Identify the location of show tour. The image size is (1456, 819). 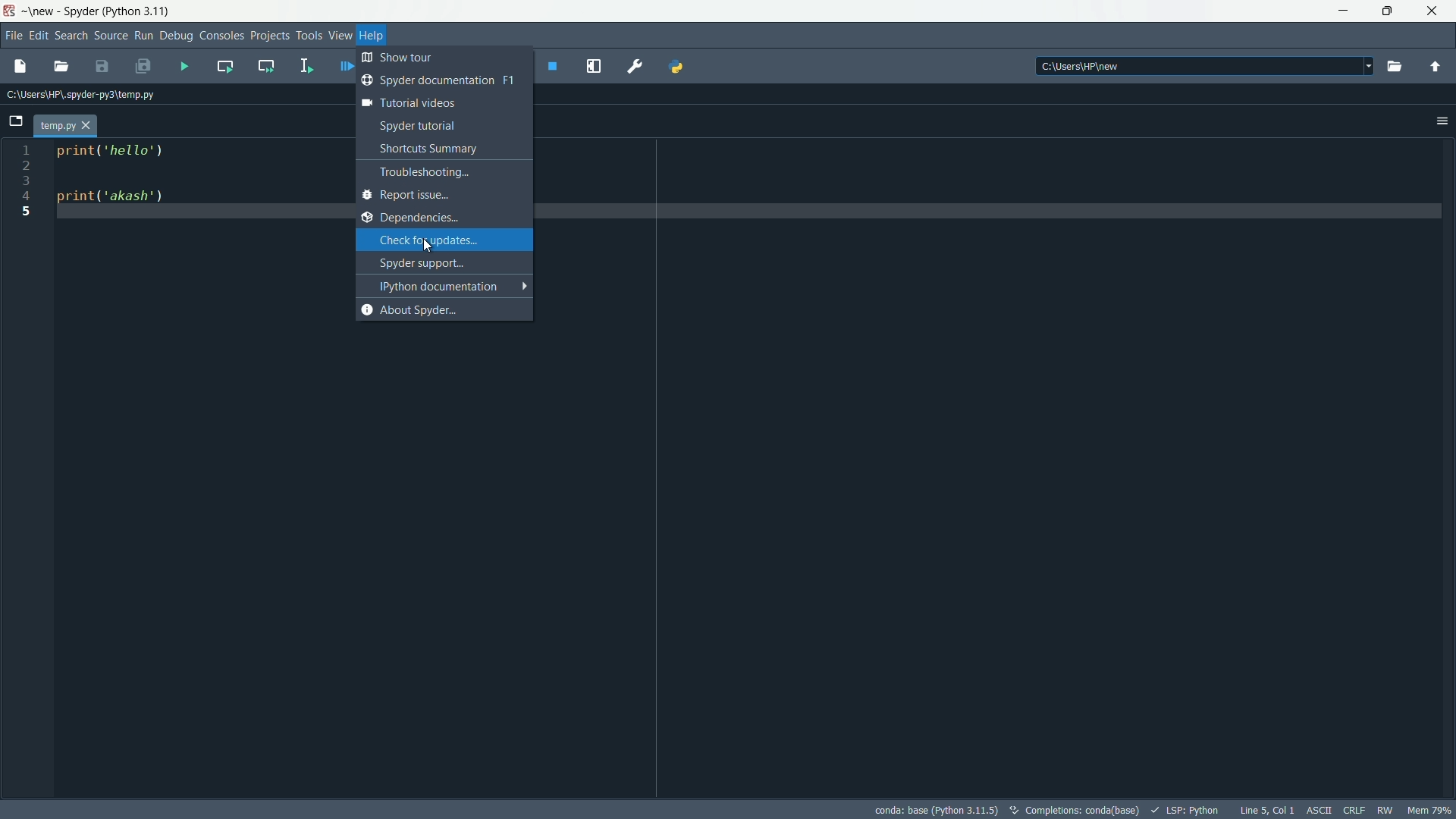
(440, 58).